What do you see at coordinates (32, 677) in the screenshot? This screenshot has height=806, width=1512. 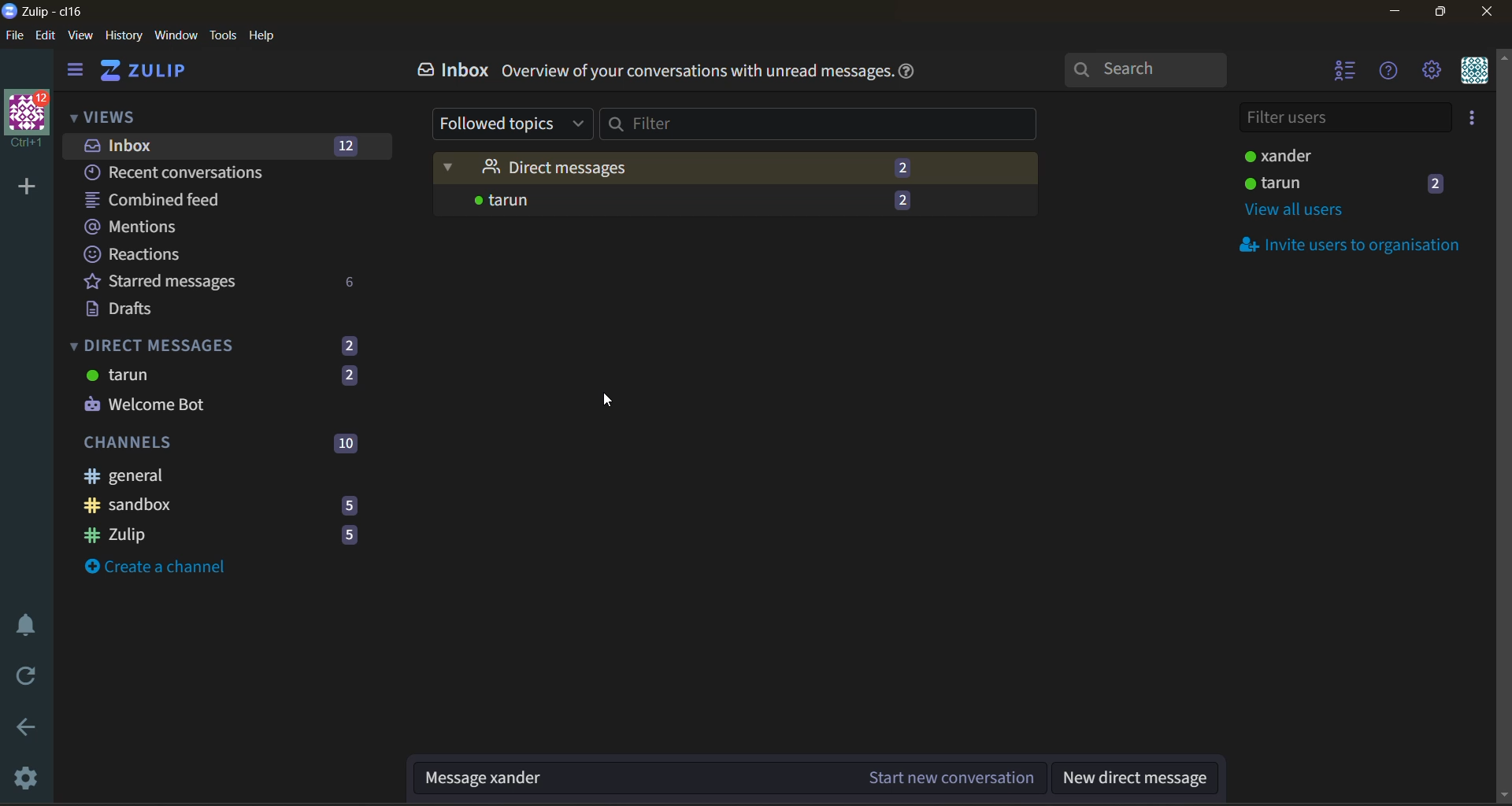 I see `reload` at bounding box center [32, 677].